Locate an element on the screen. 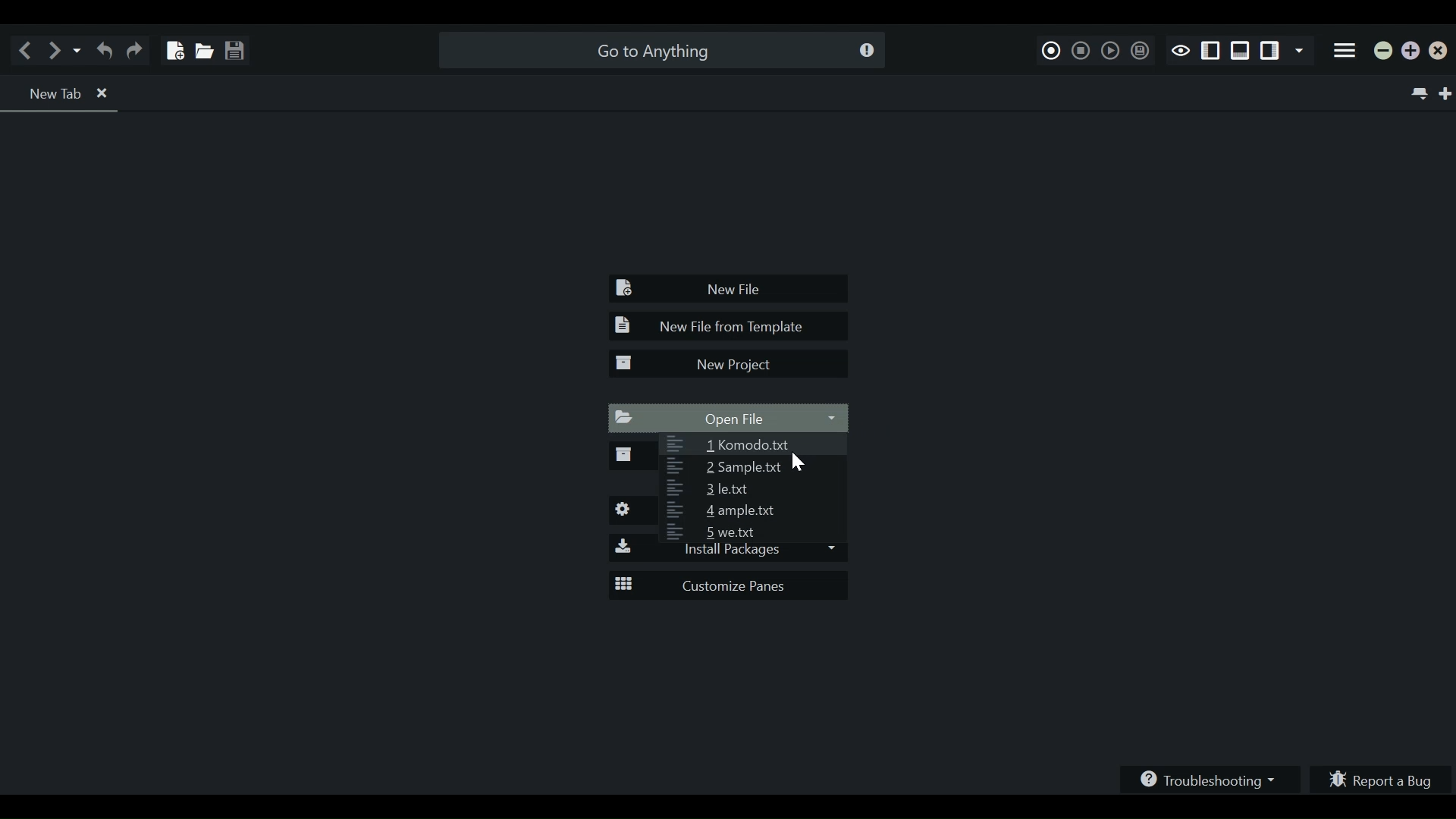 This screenshot has height=819, width=1456. Restore is located at coordinates (1411, 52).